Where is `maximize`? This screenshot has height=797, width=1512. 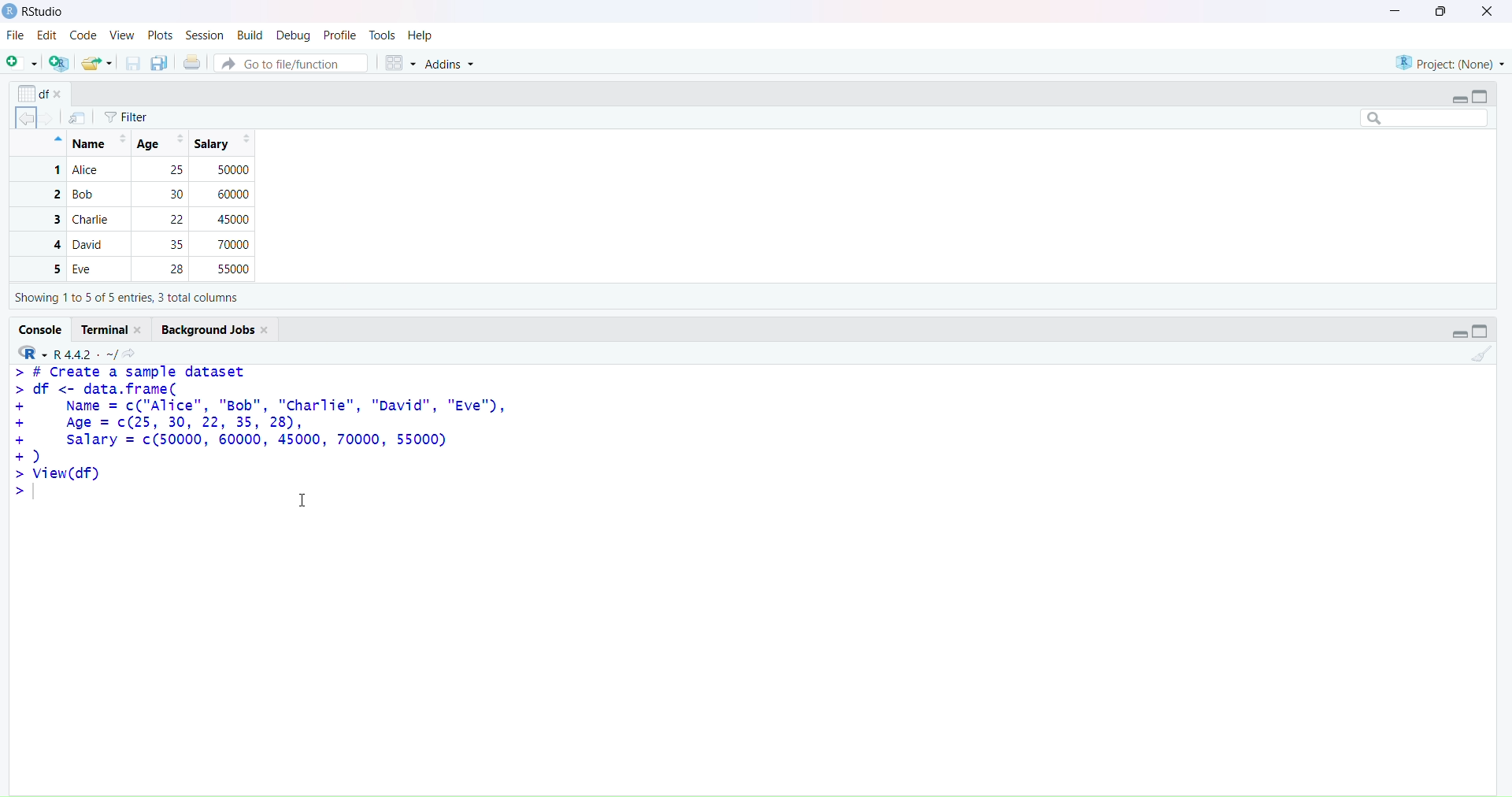 maximize is located at coordinates (1447, 12).